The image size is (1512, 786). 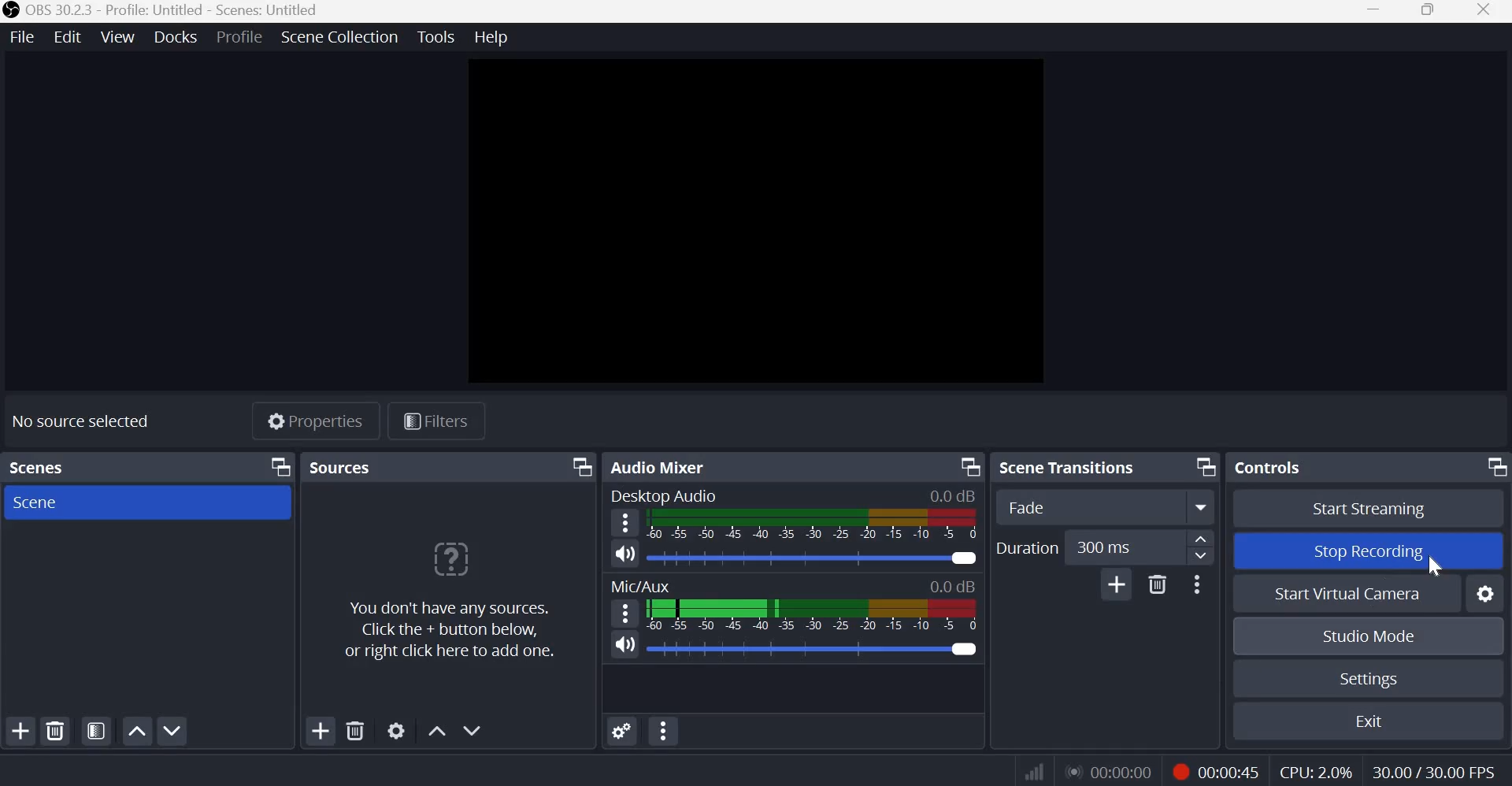 I want to click on 30.00/30.00 FPS, so click(x=1433, y=771).